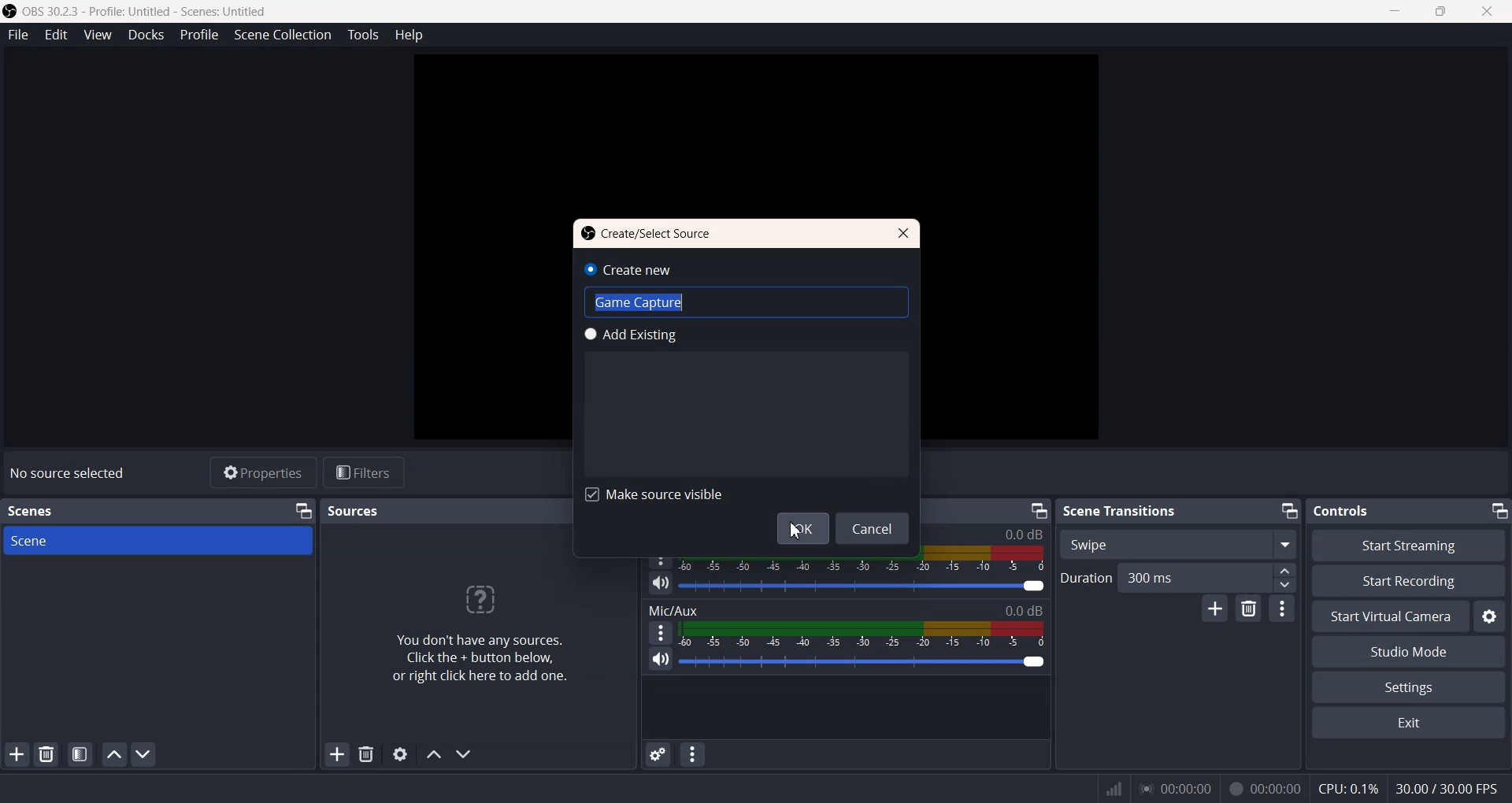 The image size is (1512, 803). I want to click on Close, so click(902, 233).